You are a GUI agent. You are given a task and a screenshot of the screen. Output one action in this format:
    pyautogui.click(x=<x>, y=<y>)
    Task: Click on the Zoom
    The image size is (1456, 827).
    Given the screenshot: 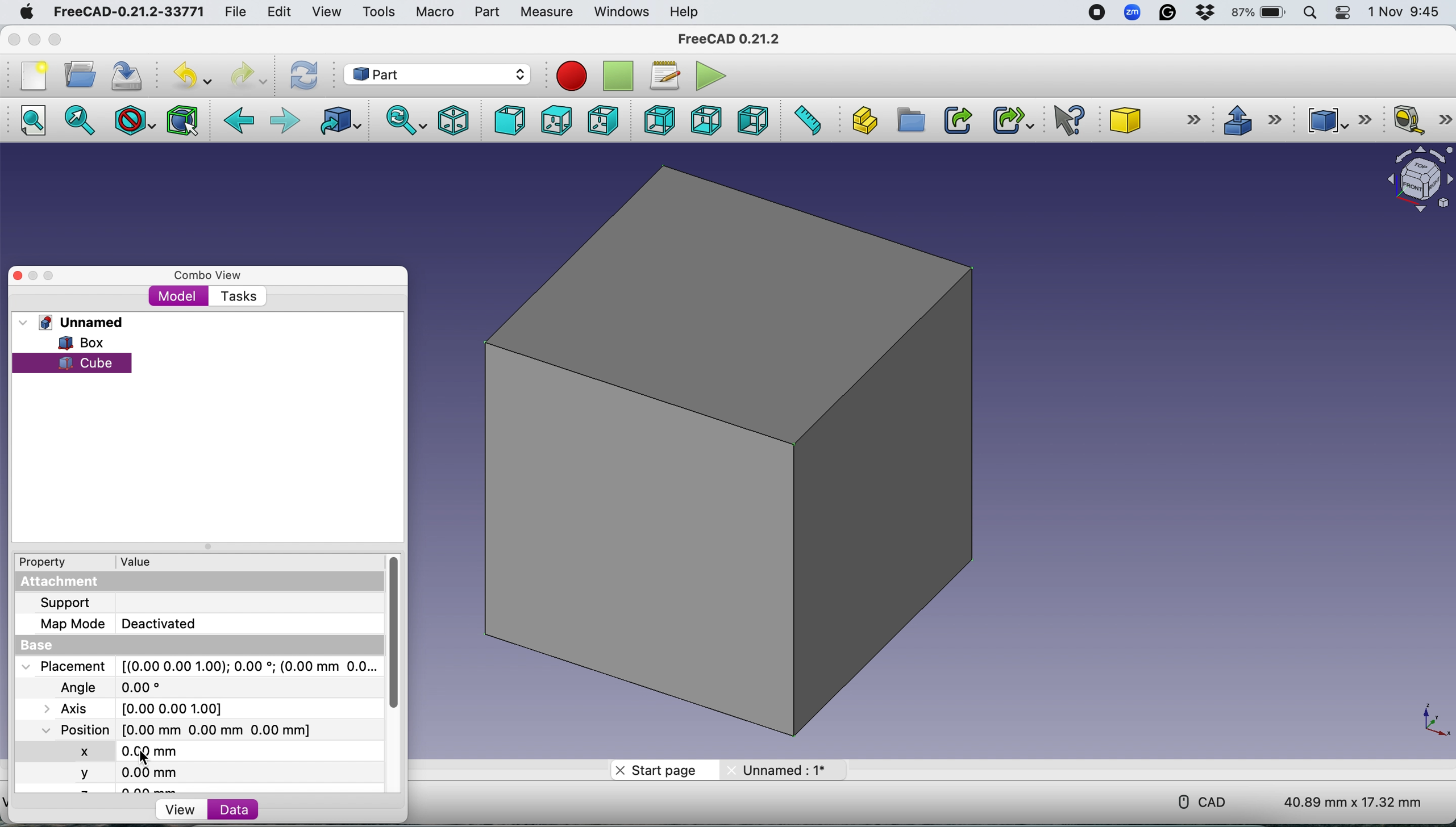 What is the action you would take?
    pyautogui.click(x=1133, y=14)
    